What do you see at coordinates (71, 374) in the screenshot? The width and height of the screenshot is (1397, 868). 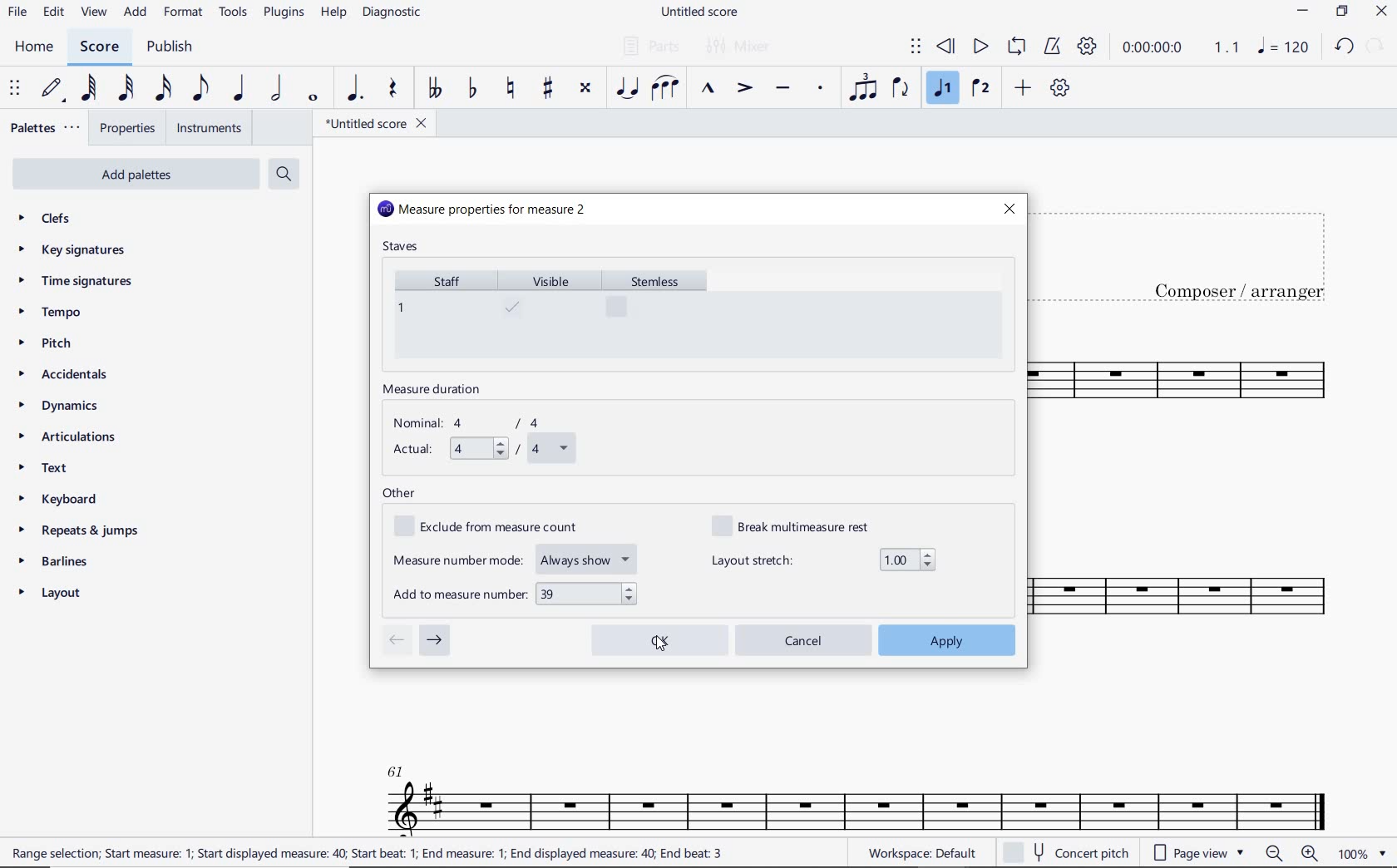 I see `ACCIDENTALS` at bounding box center [71, 374].